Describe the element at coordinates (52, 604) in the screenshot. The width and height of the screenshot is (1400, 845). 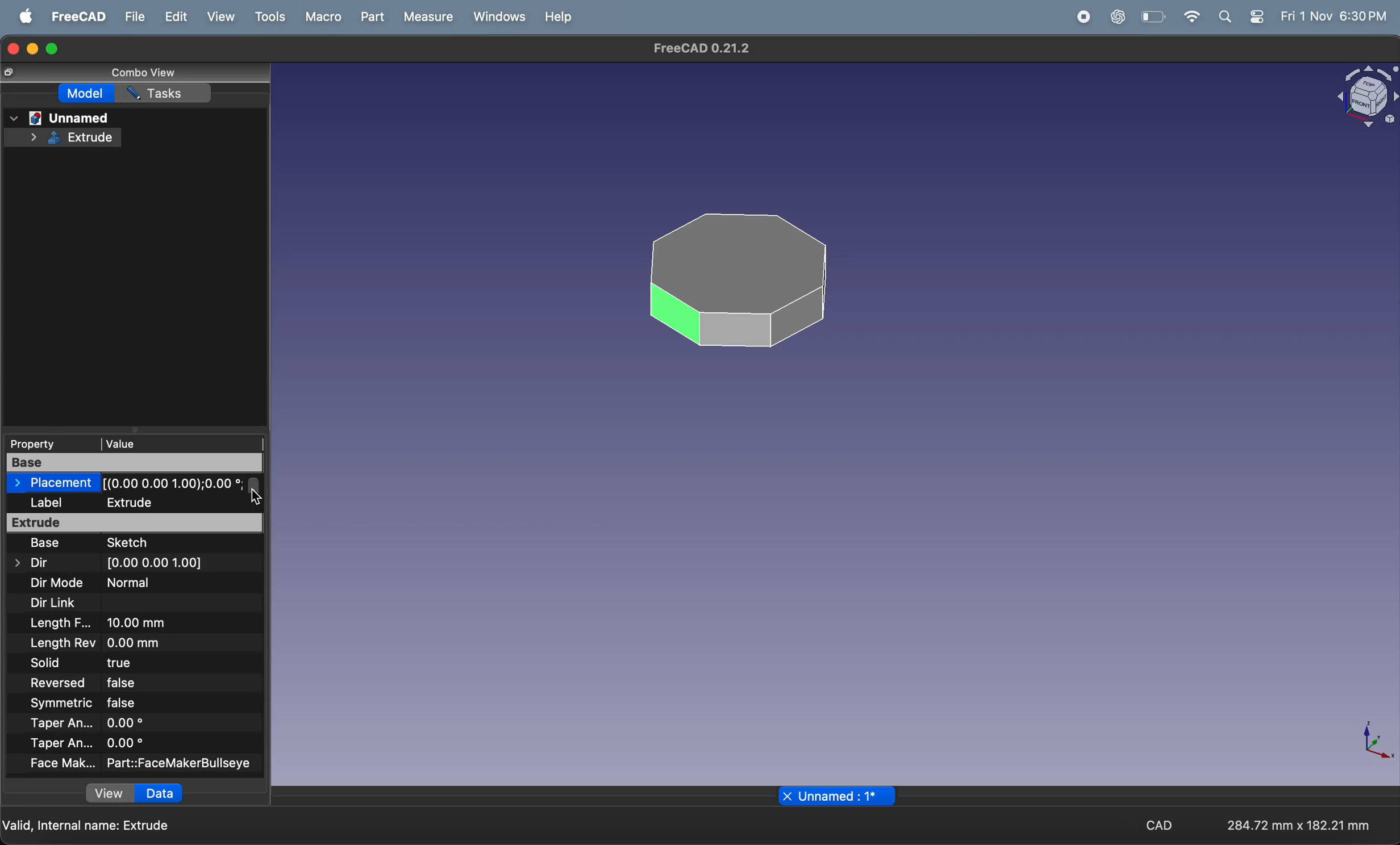
I see `Dir Link` at that location.